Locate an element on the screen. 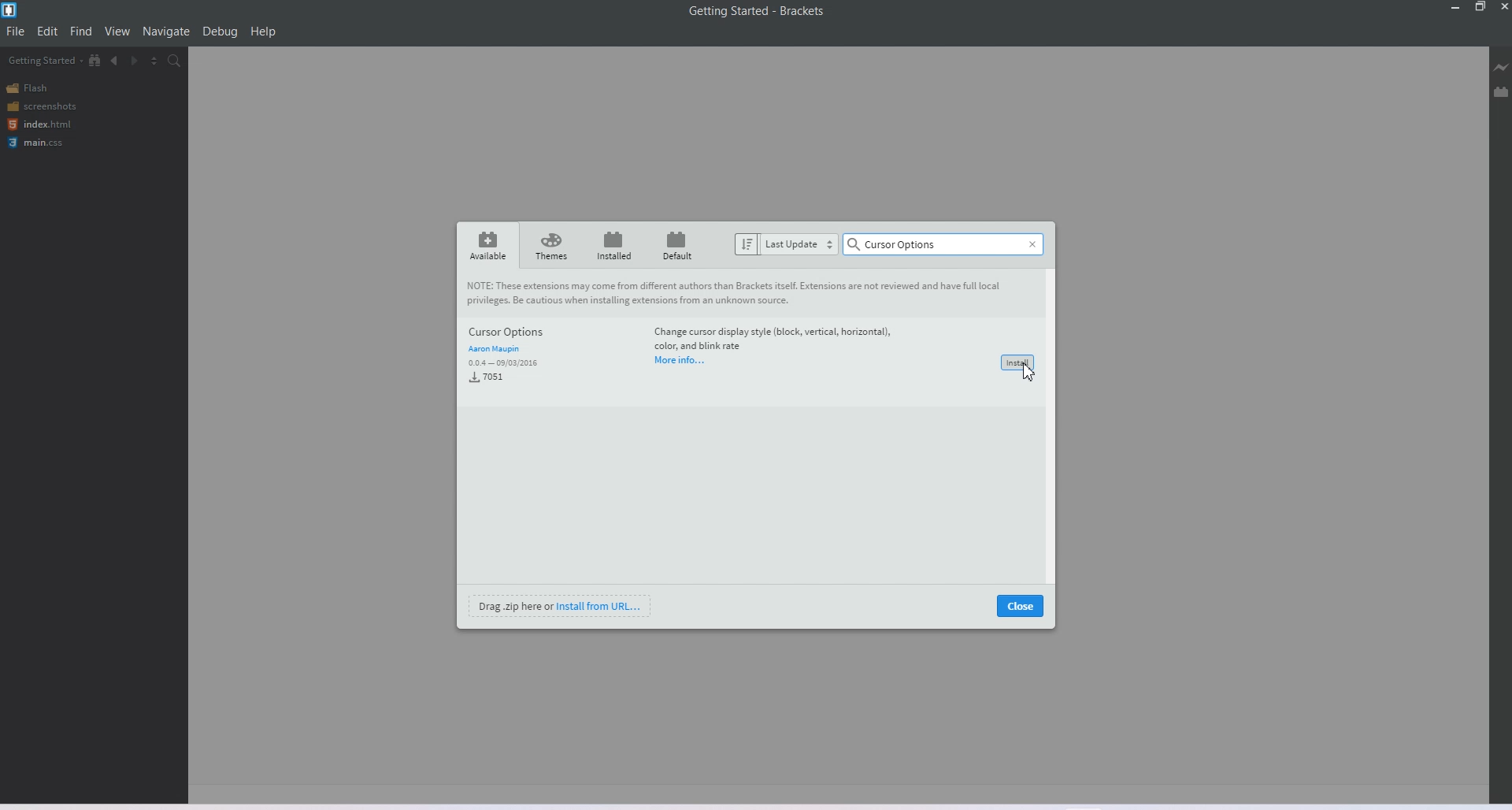  Extension Manager is located at coordinates (1502, 91).